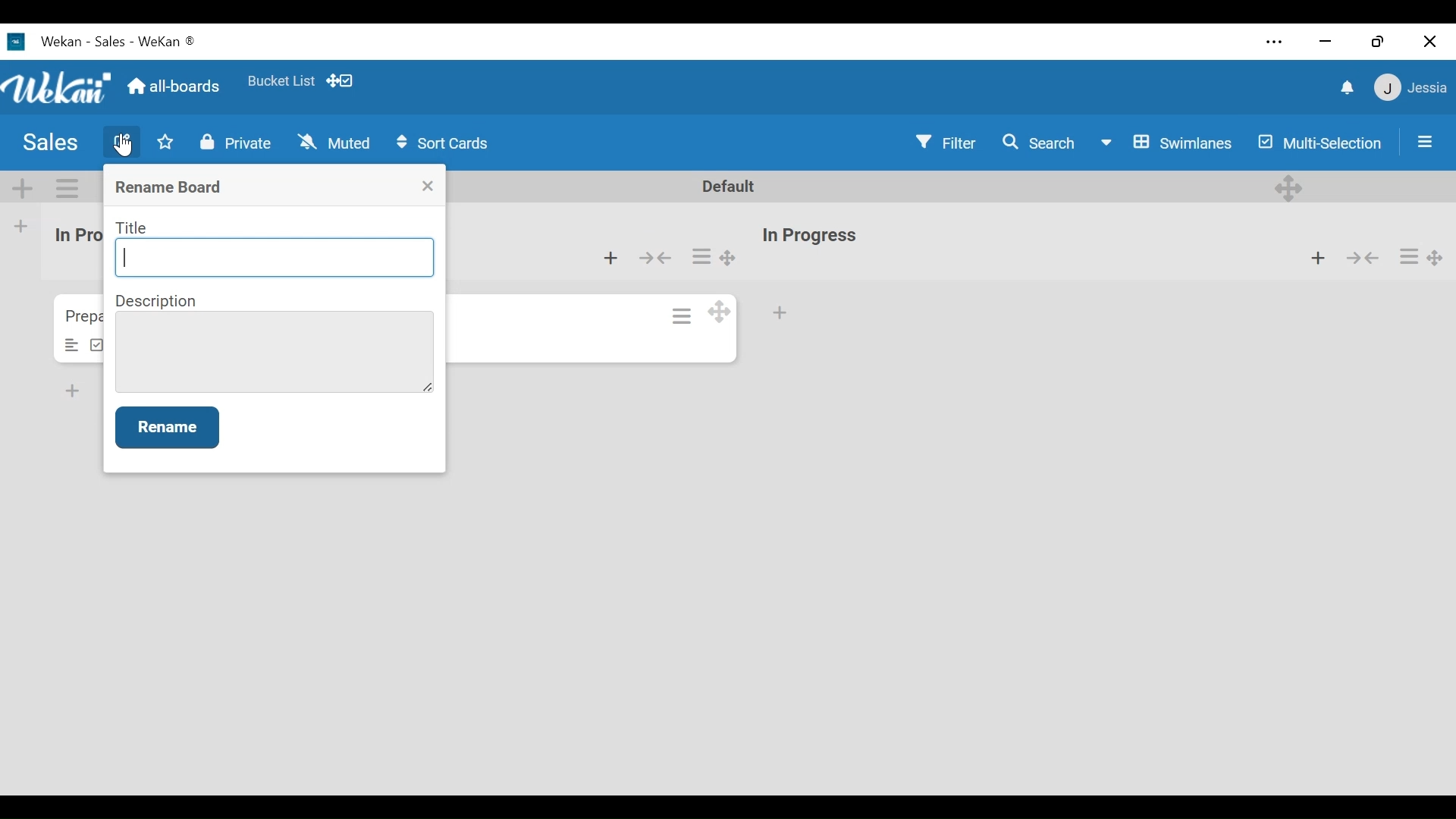 The image size is (1456, 819). I want to click on list actions, so click(1410, 257).